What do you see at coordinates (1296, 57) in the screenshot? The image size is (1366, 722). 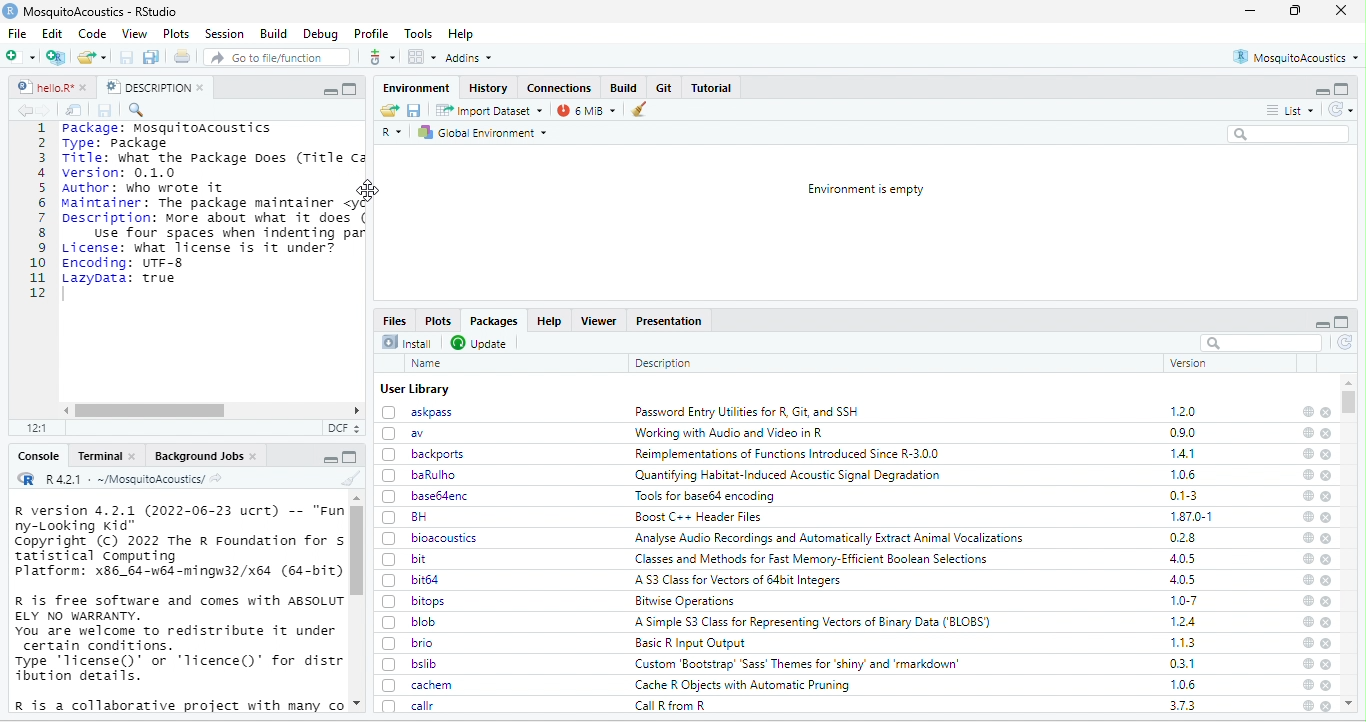 I see `MosquitoAcoustics` at bounding box center [1296, 57].